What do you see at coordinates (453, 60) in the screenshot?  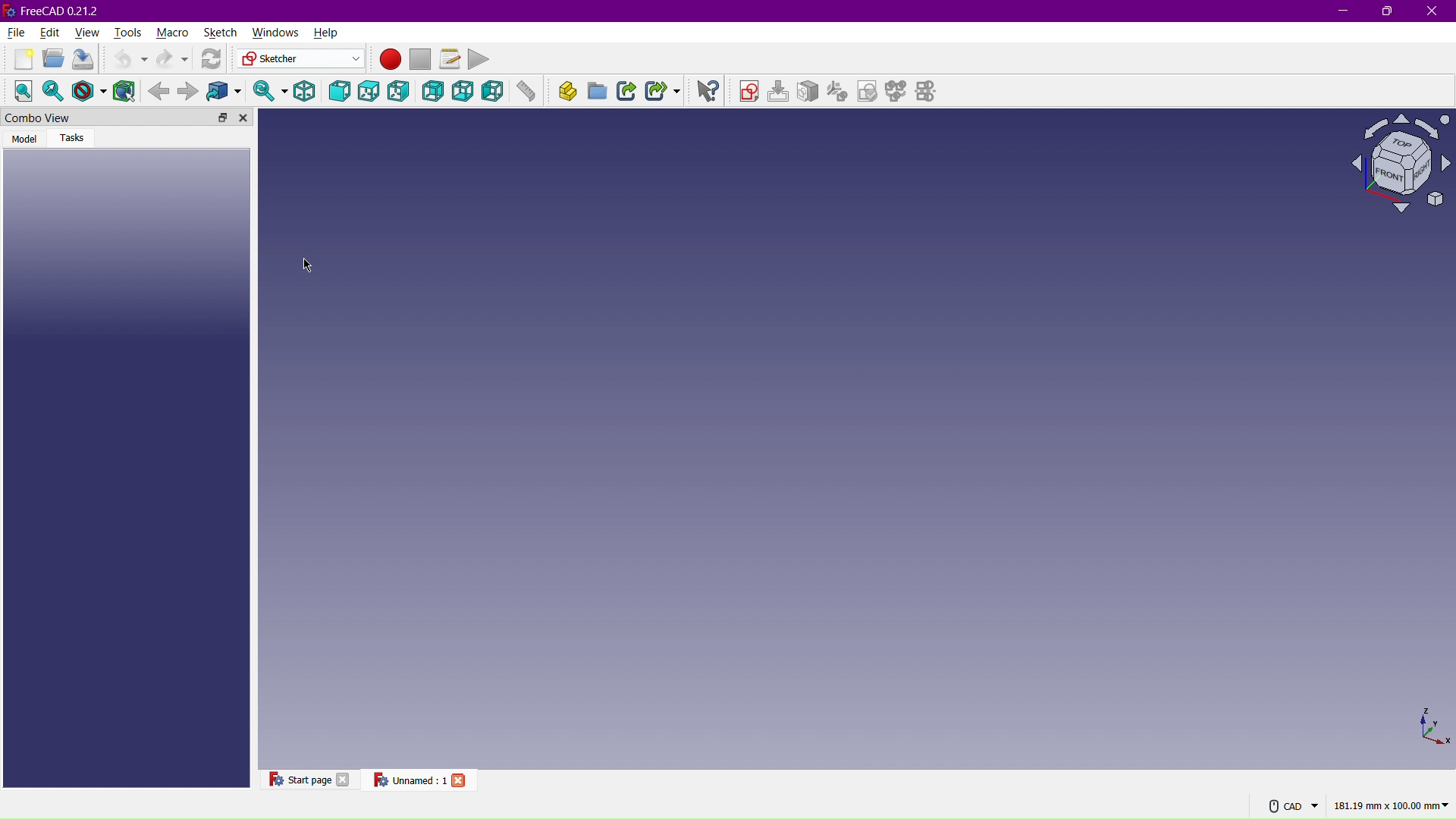 I see `Macros` at bounding box center [453, 60].